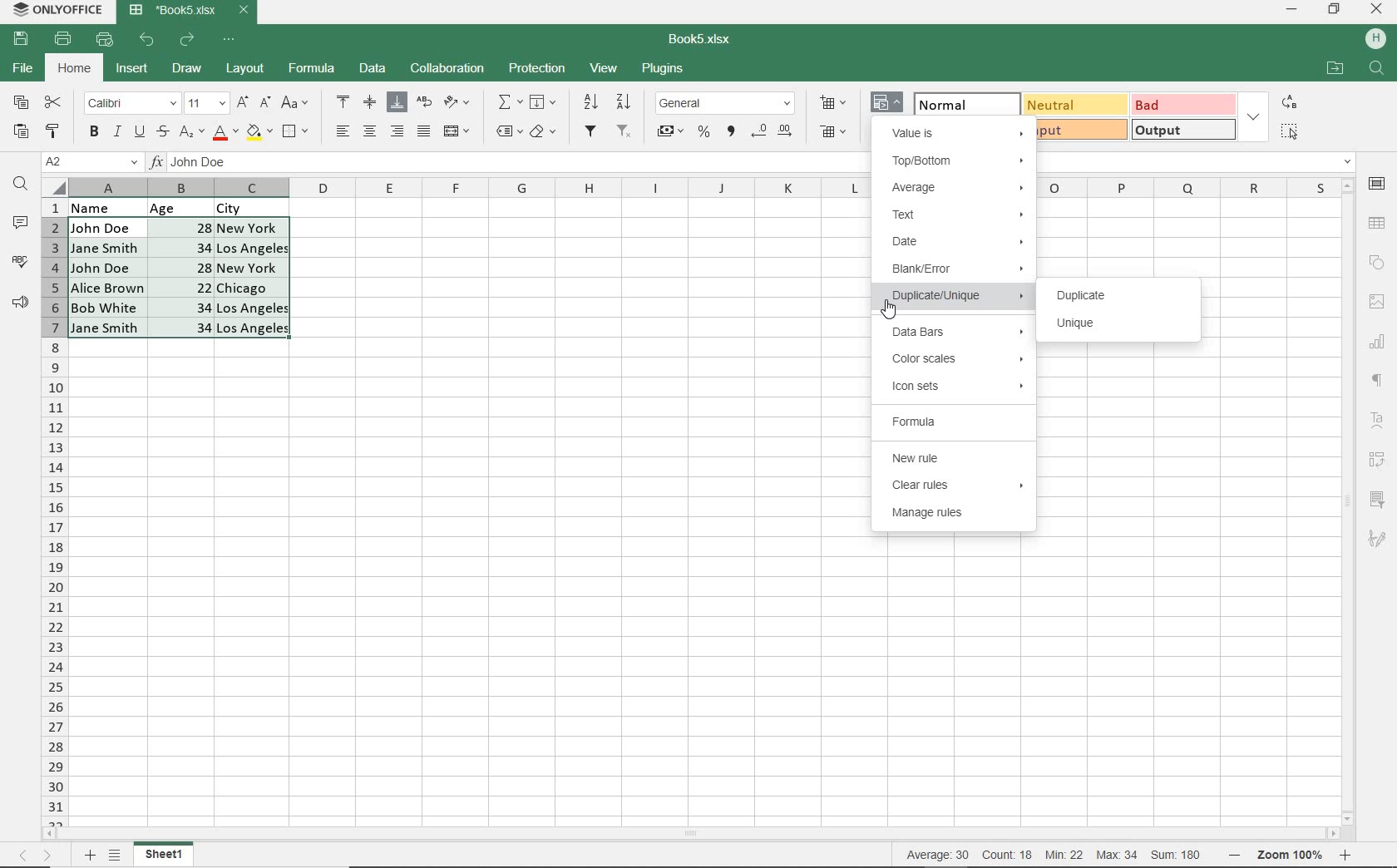  I want to click on NAMED RANGES, so click(508, 132).